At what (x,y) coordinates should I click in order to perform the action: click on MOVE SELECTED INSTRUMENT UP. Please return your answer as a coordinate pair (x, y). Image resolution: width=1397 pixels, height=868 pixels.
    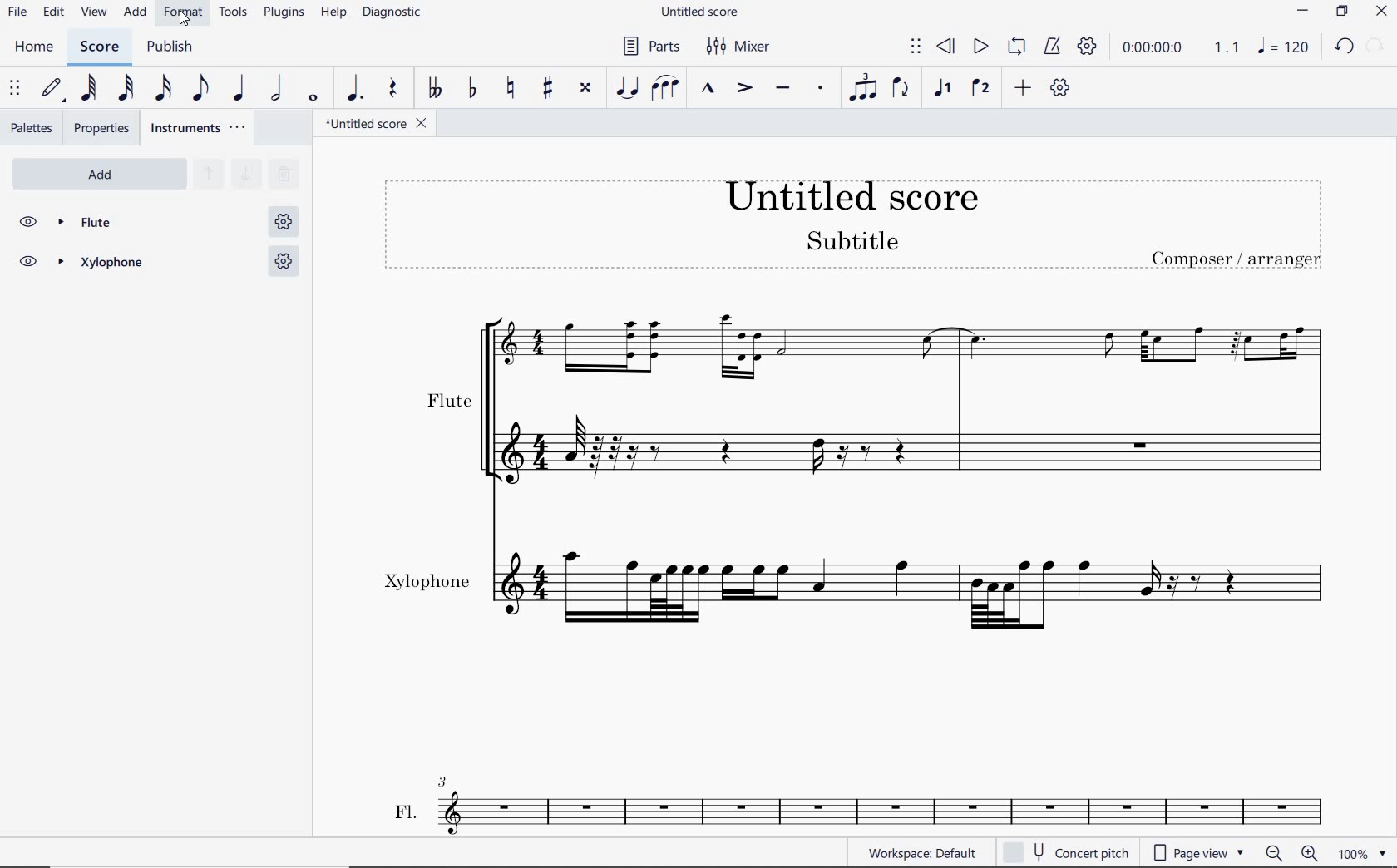
    Looking at the image, I should click on (208, 173).